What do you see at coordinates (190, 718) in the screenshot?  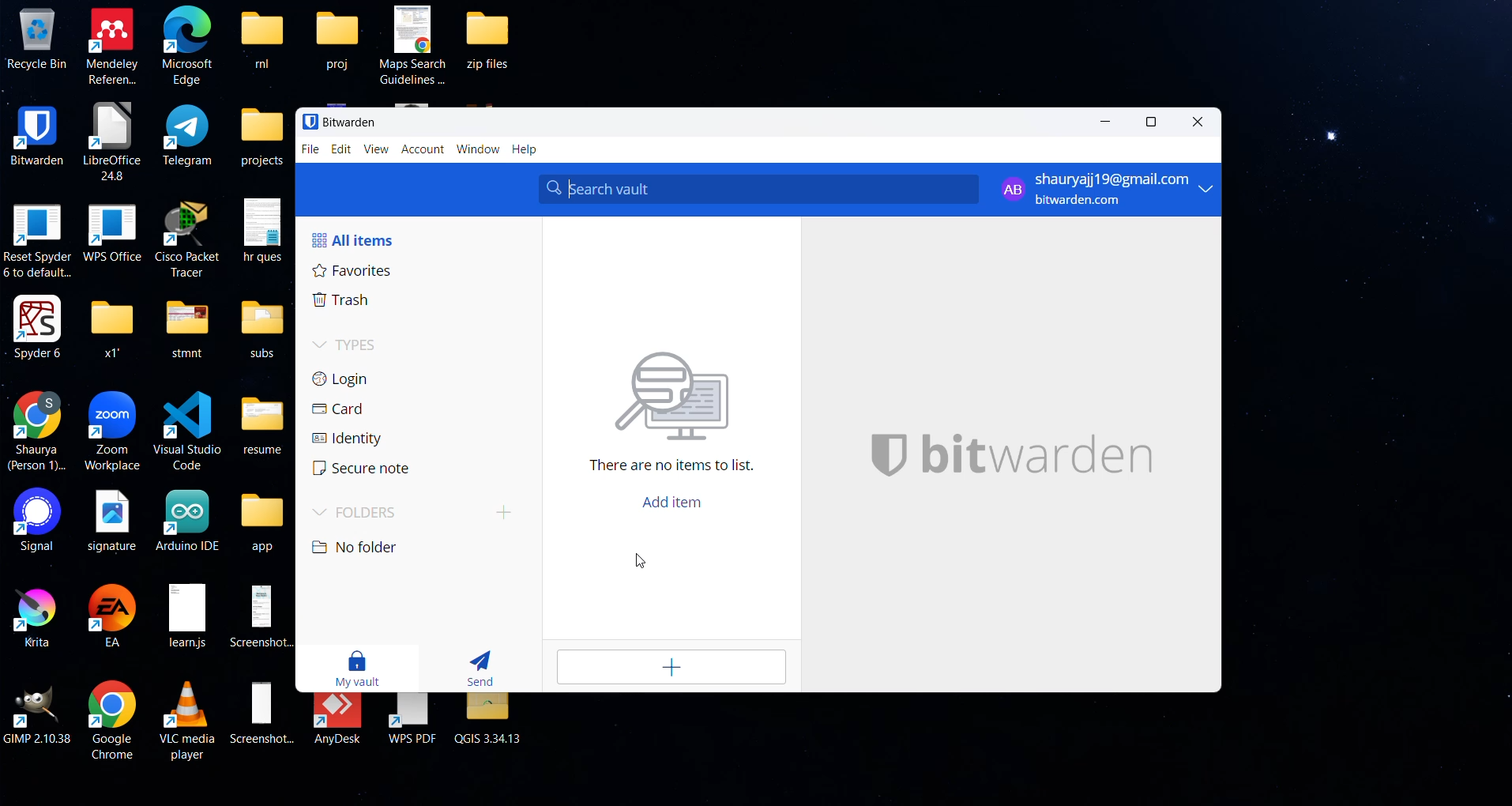 I see `VLC media player` at bounding box center [190, 718].